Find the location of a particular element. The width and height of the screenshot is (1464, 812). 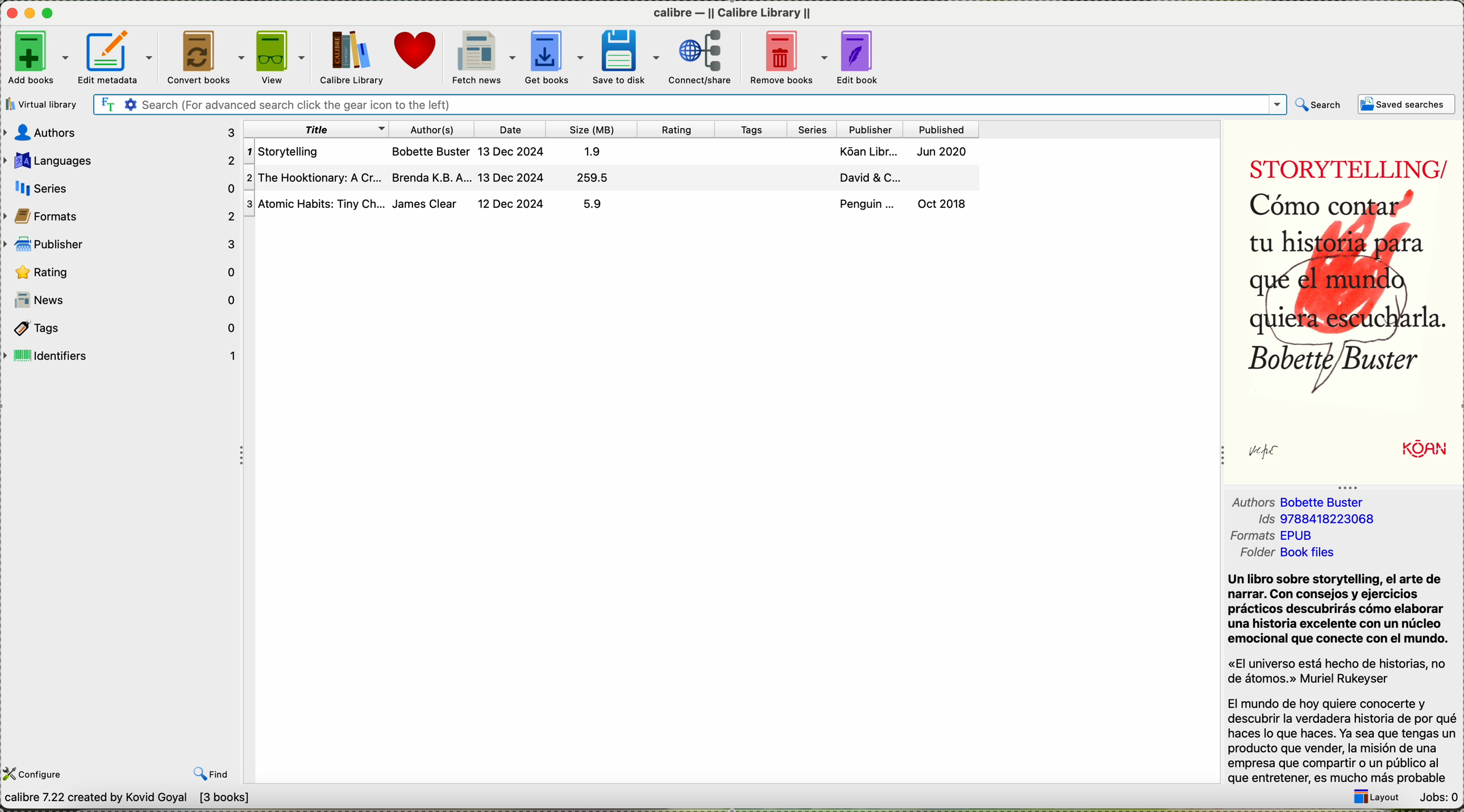

convert books is located at coordinates (204, 56).